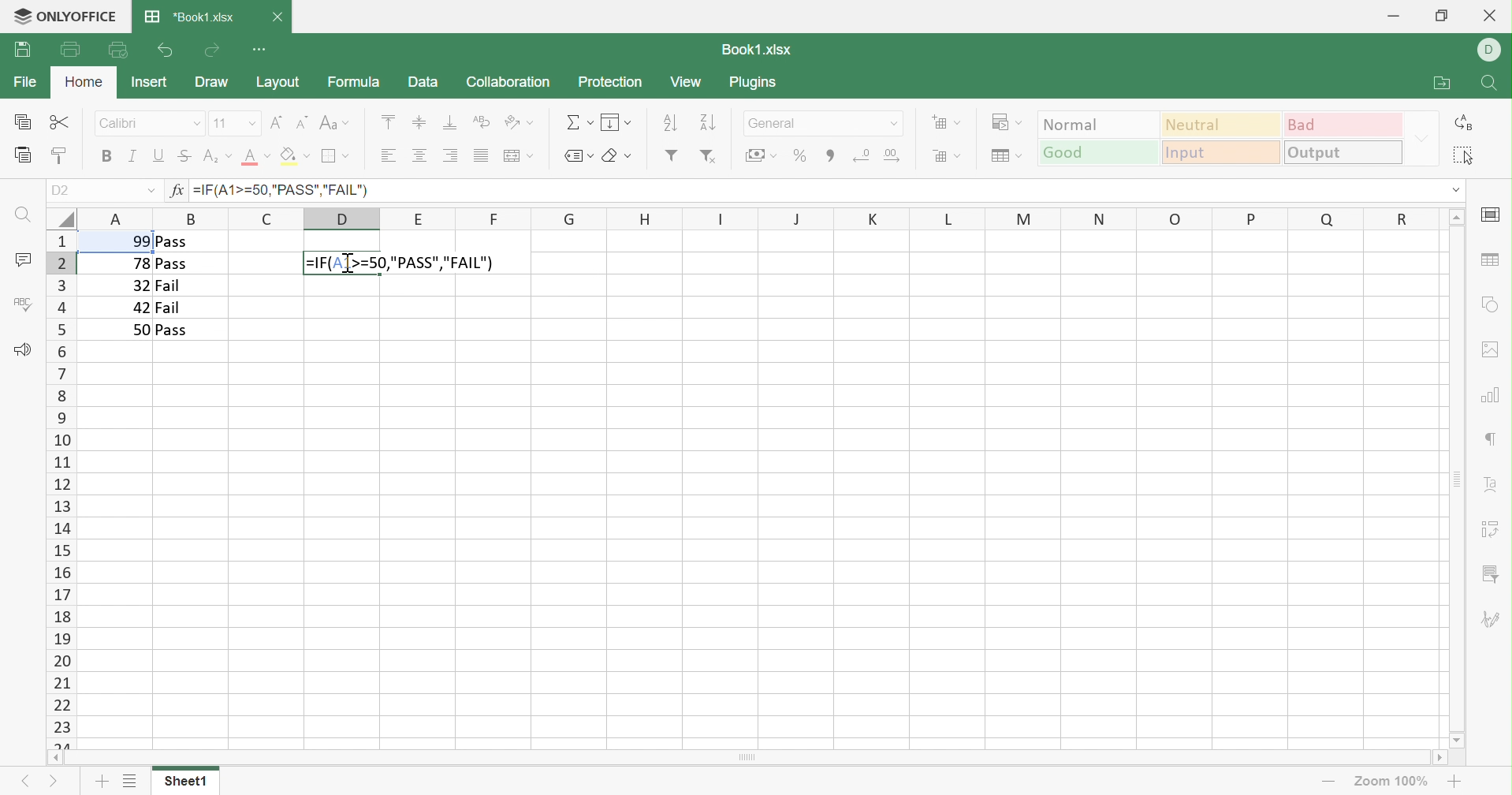 Image resolution: width=1512 pixels, height=795 pixels. I want to click on Zoom out, so click(1328, 784).